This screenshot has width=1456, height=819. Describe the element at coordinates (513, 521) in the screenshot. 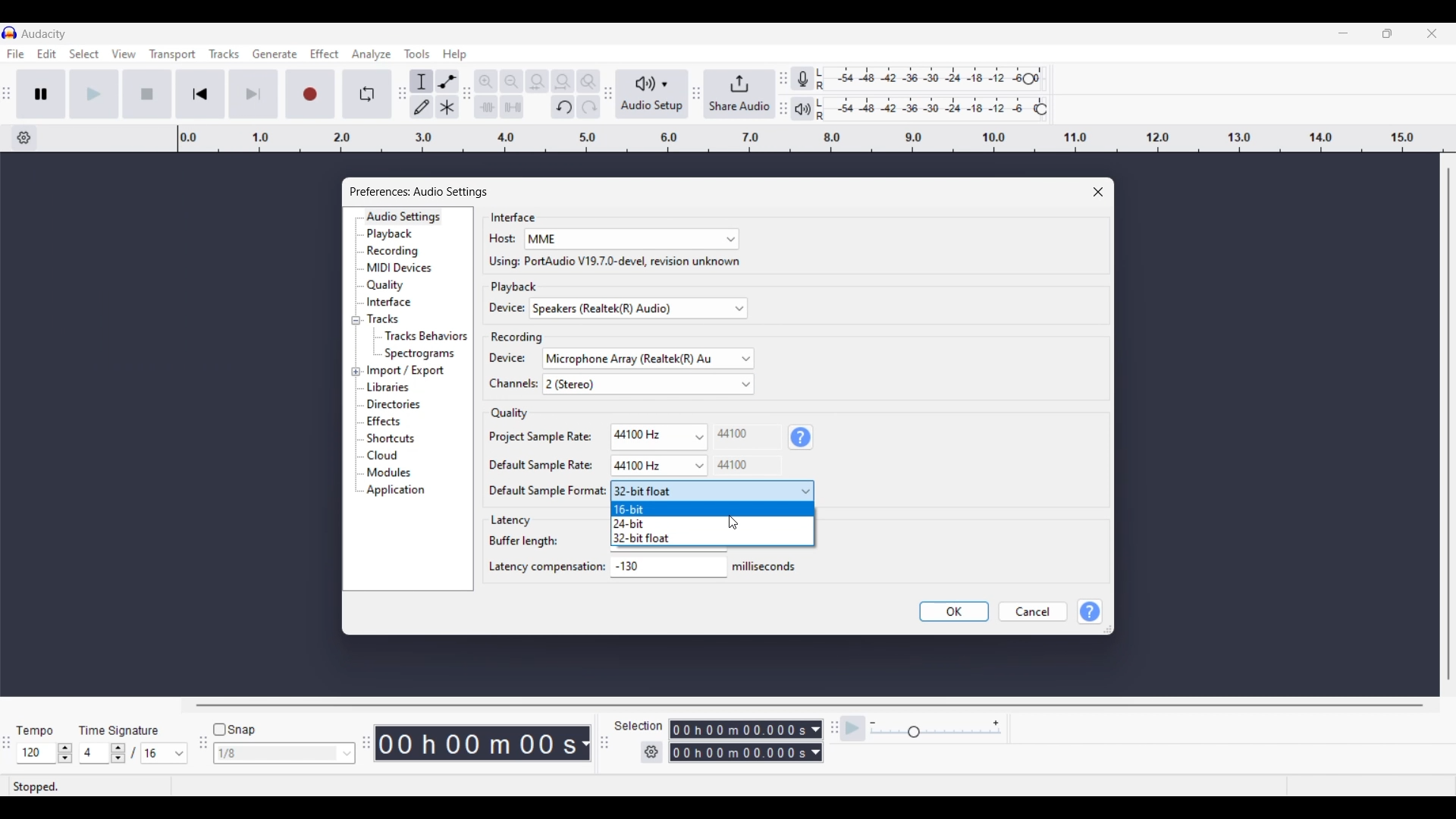

I see `| Latency` at that location.